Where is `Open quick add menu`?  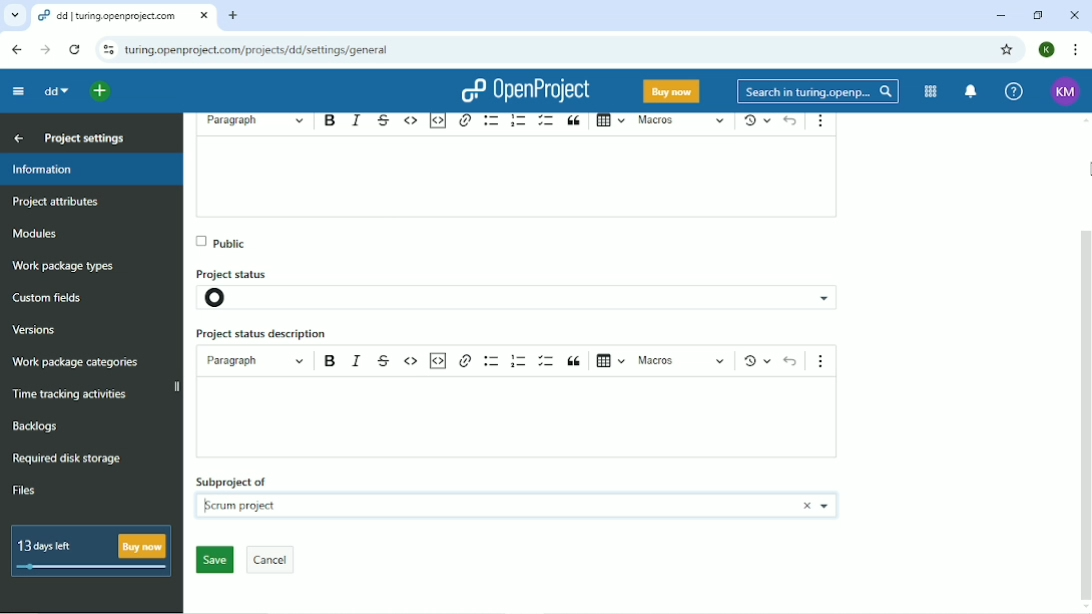 Open quick add menu is located at coordinates (104, 92).